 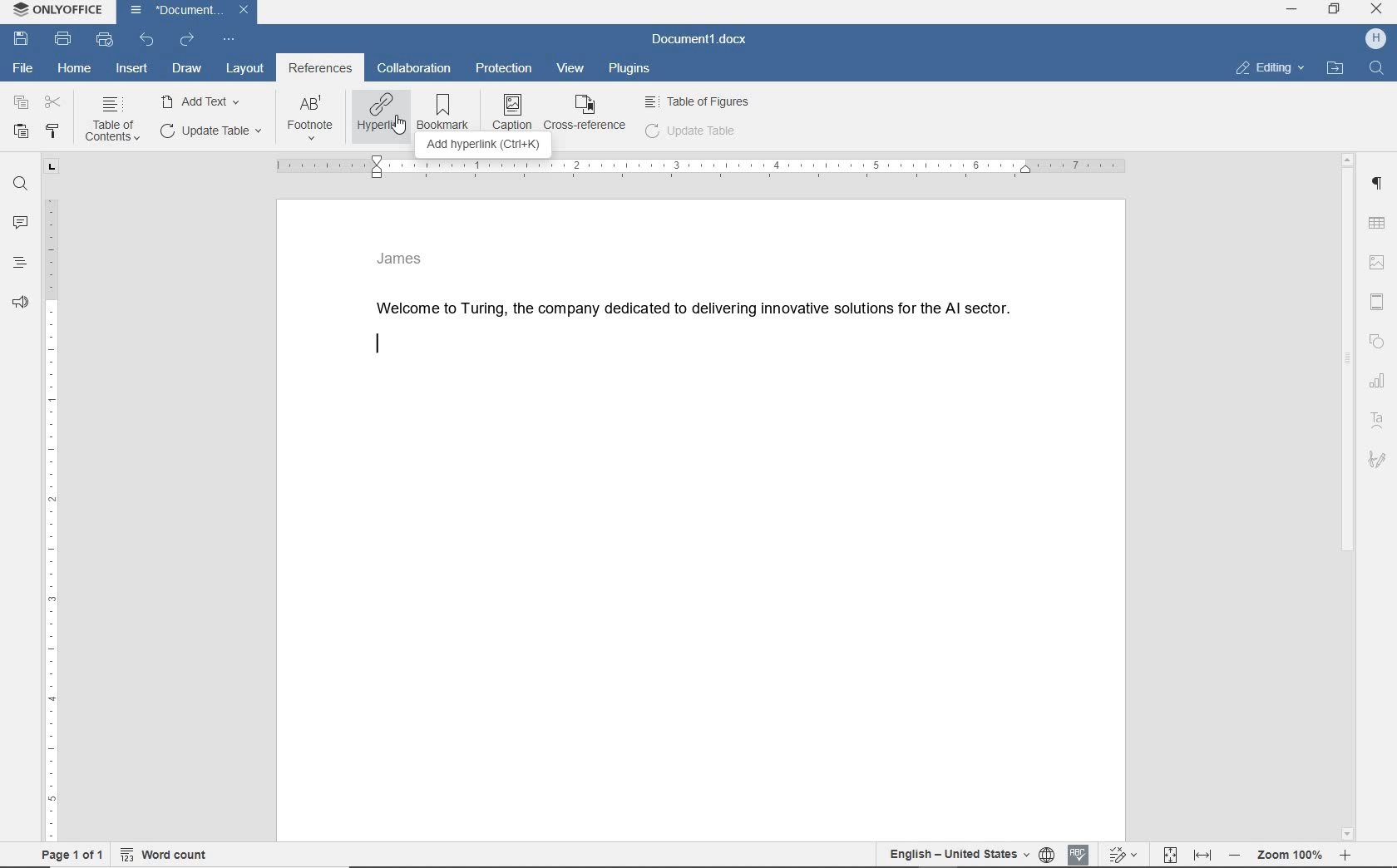 What do you see at coordinates (387, 124) in the screenshot?
I see `Cursor` at bounding box center [387, 124].